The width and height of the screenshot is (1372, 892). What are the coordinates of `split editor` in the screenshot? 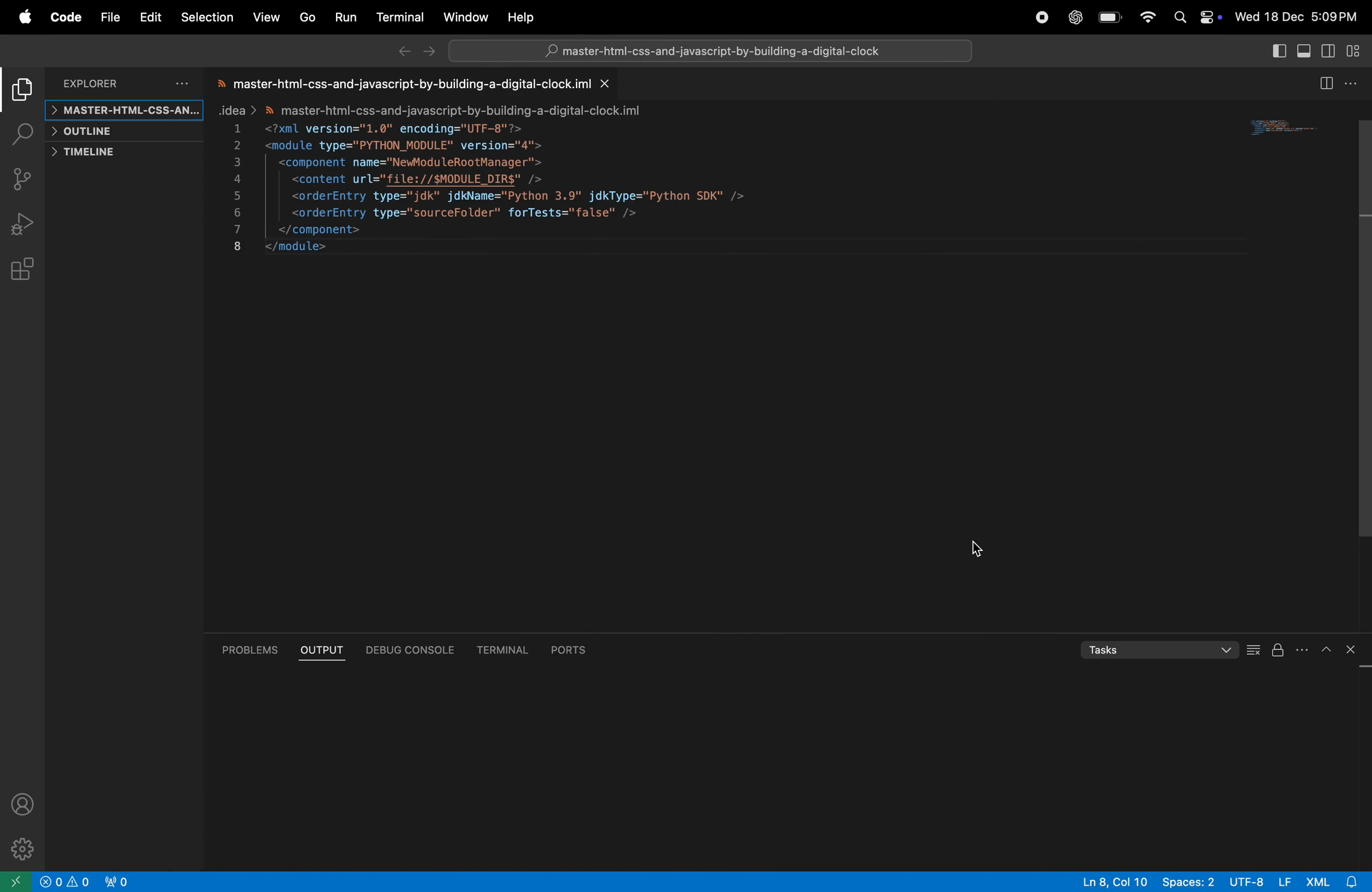 It's located at (1276, 50).